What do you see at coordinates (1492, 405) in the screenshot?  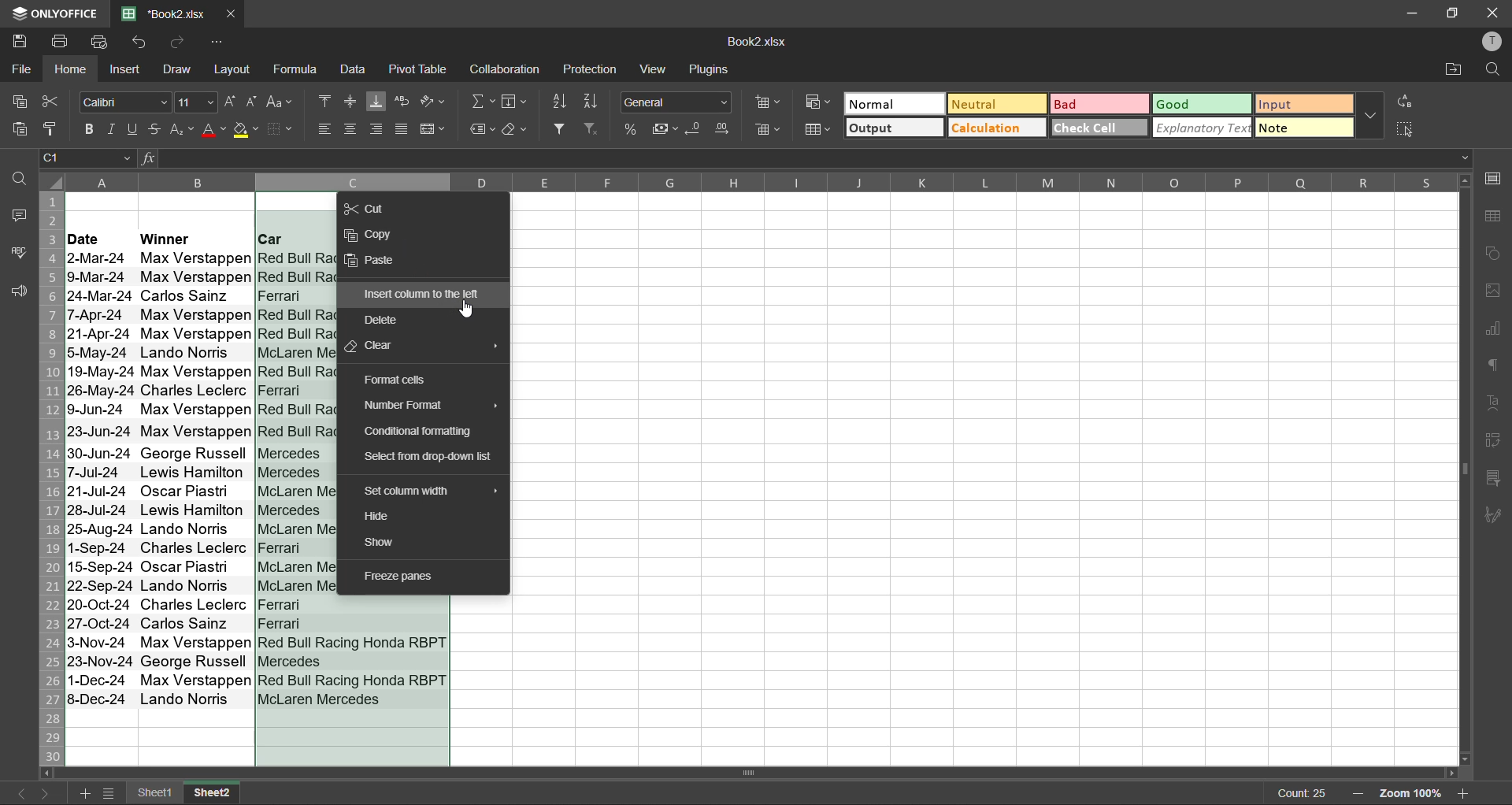 I see `text` at bounding box center [1492, 405].